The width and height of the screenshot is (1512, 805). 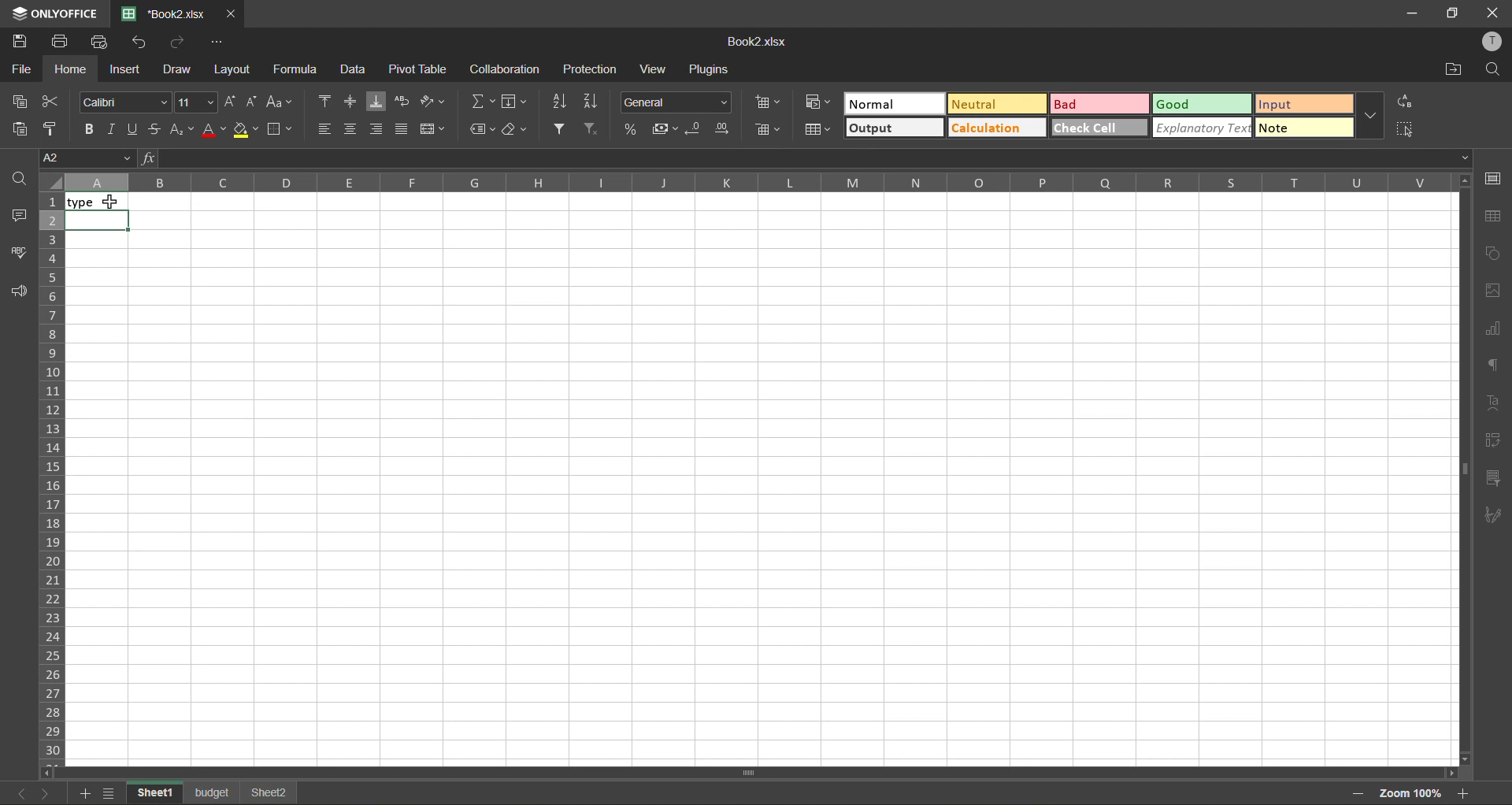 What do you see at coordinates (298, 72) in the screenshot?
I see `formula` at bounding box center [298, 72].